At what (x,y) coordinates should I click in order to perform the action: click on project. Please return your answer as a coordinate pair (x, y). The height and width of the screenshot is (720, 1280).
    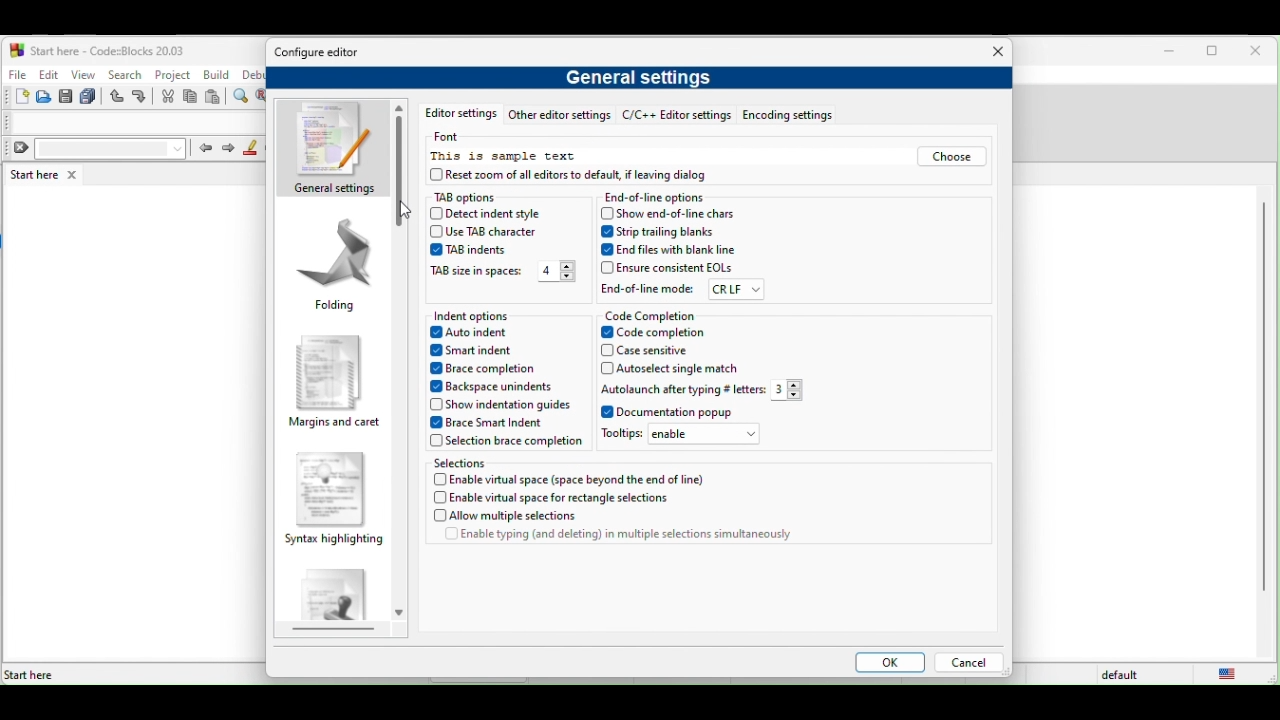
    Looking at the image, I should click on (173, 73).